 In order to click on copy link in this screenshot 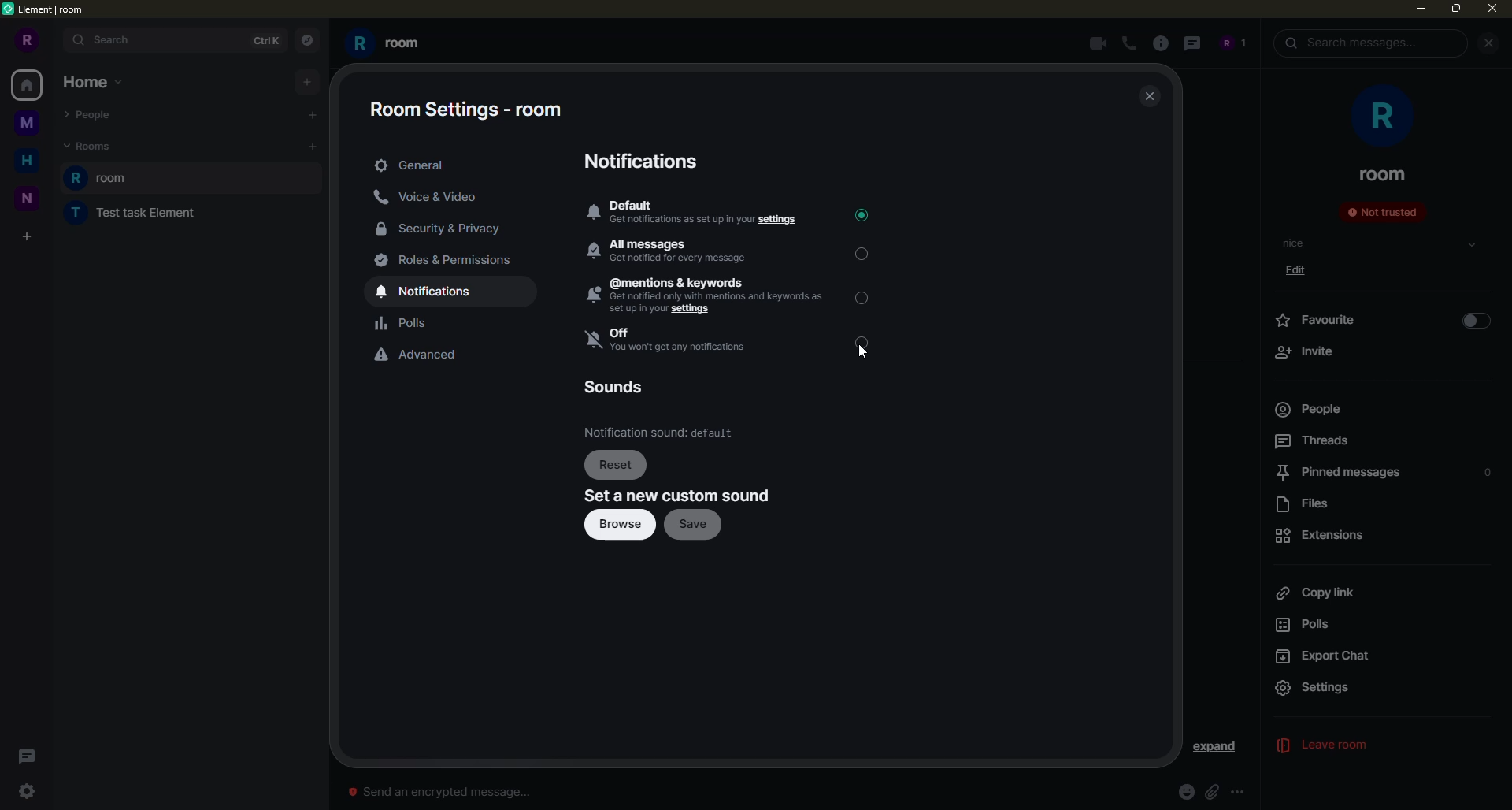, I will do `click(1315, 593)`.